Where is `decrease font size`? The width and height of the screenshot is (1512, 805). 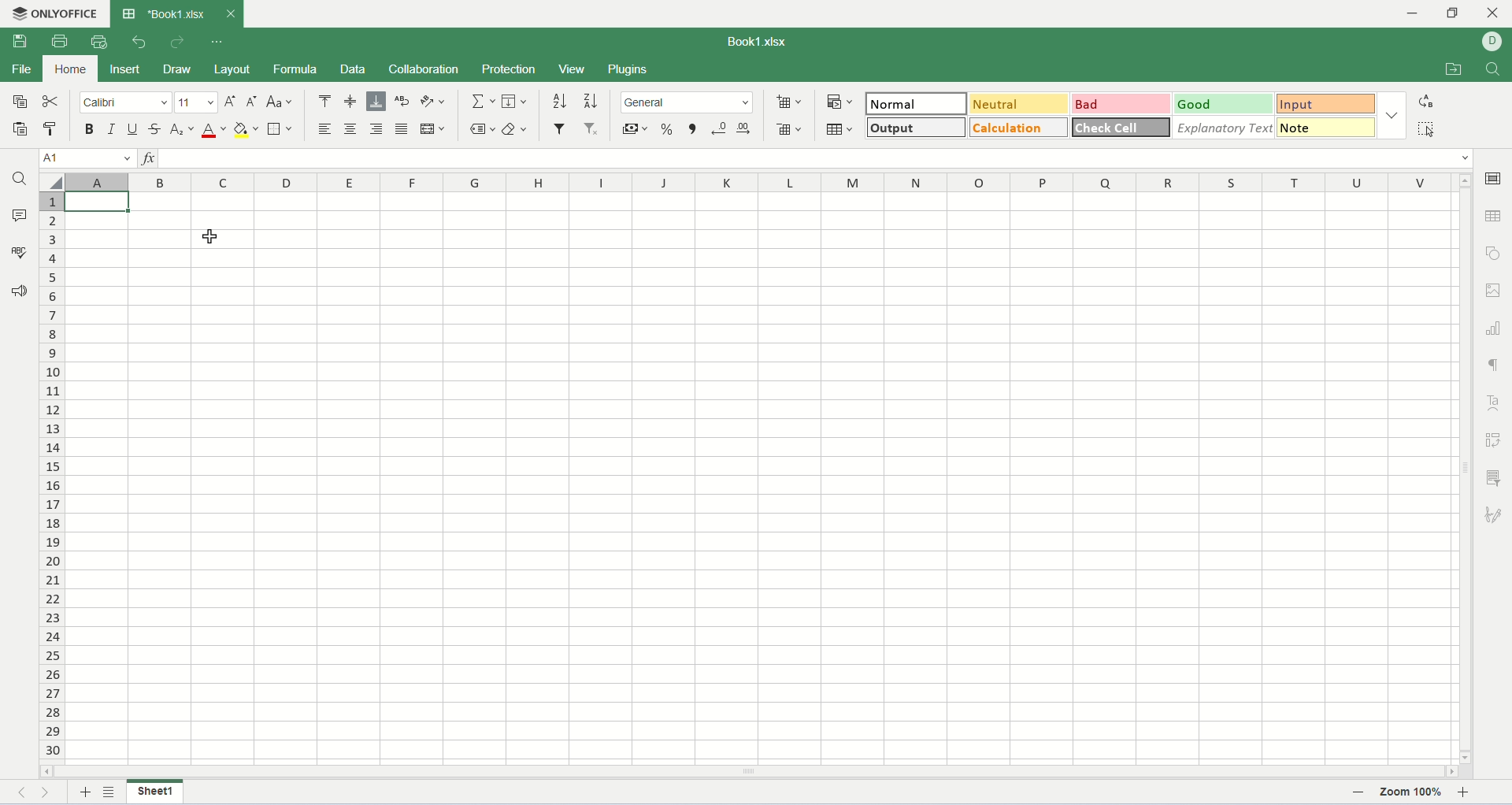
decrease font size is located at coordinates (252, 101).